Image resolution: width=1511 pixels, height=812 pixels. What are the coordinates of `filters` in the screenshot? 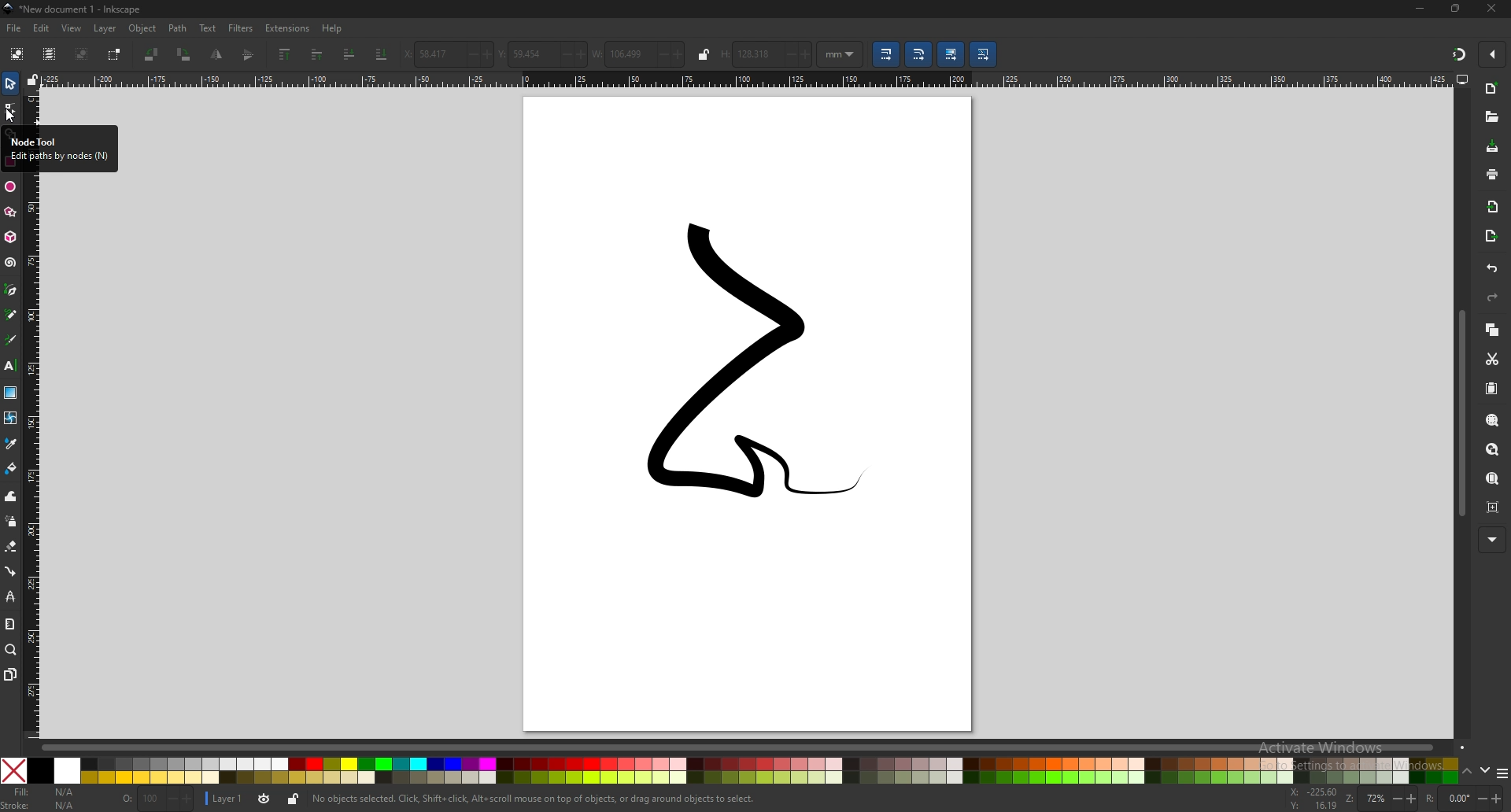 It's located at (241, 28).